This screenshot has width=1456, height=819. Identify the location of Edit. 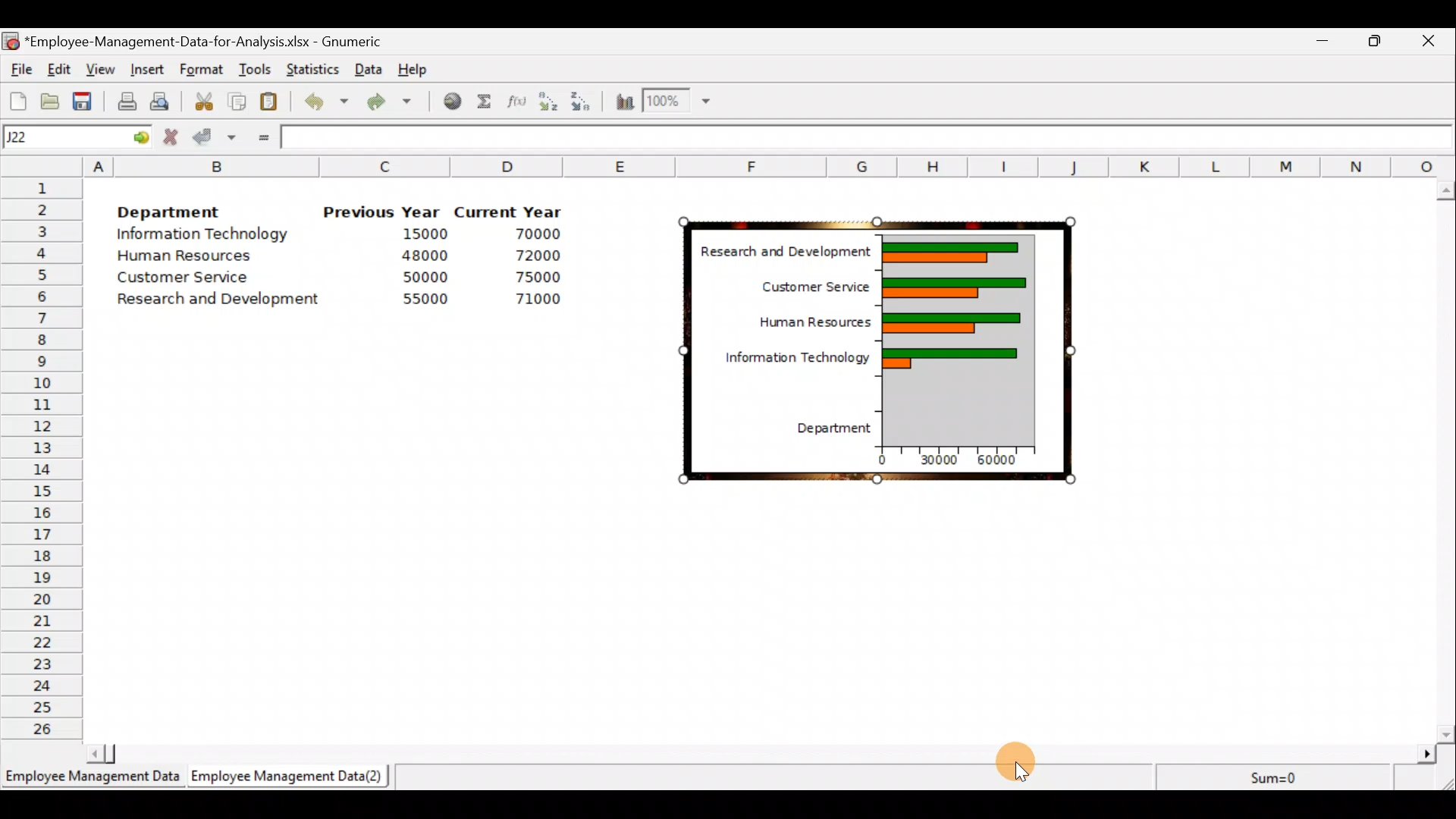
(61, 68).